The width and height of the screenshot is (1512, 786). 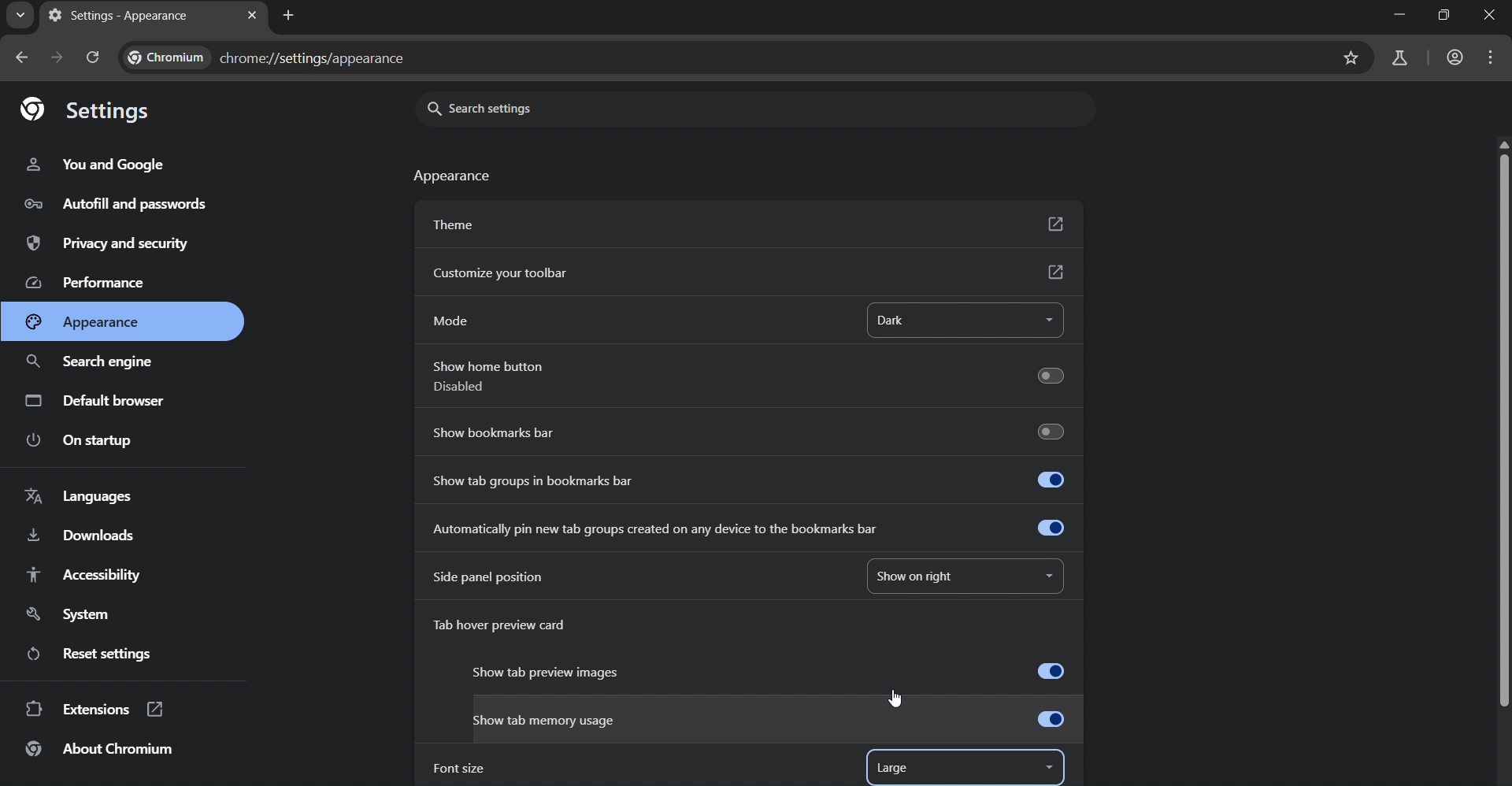 What do you see at coordinates (99, 751) in the screenshot?
I see `about chromium` at bounding box center [99, 751].